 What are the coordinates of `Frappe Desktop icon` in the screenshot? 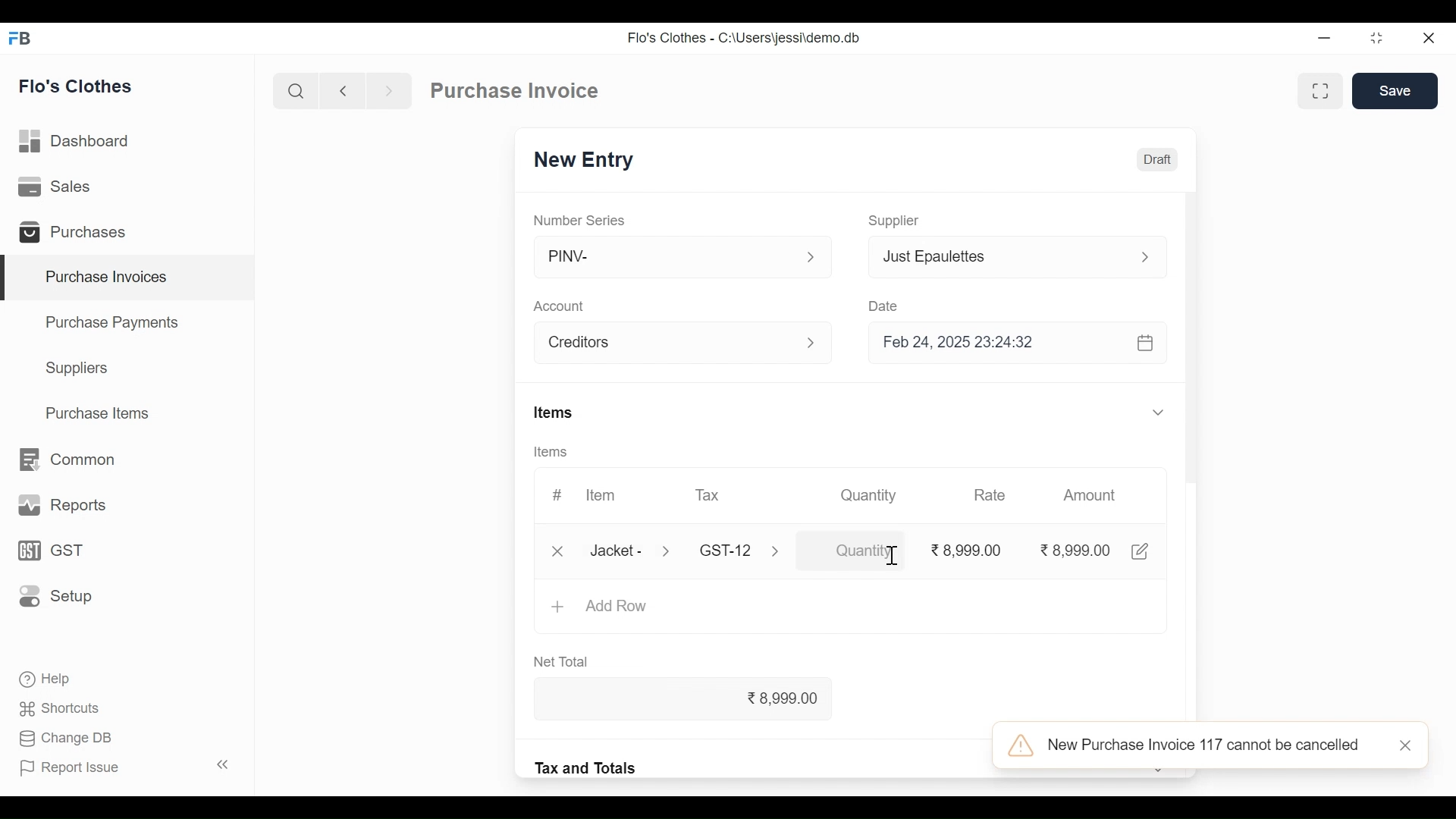 It's located at (24, 39).